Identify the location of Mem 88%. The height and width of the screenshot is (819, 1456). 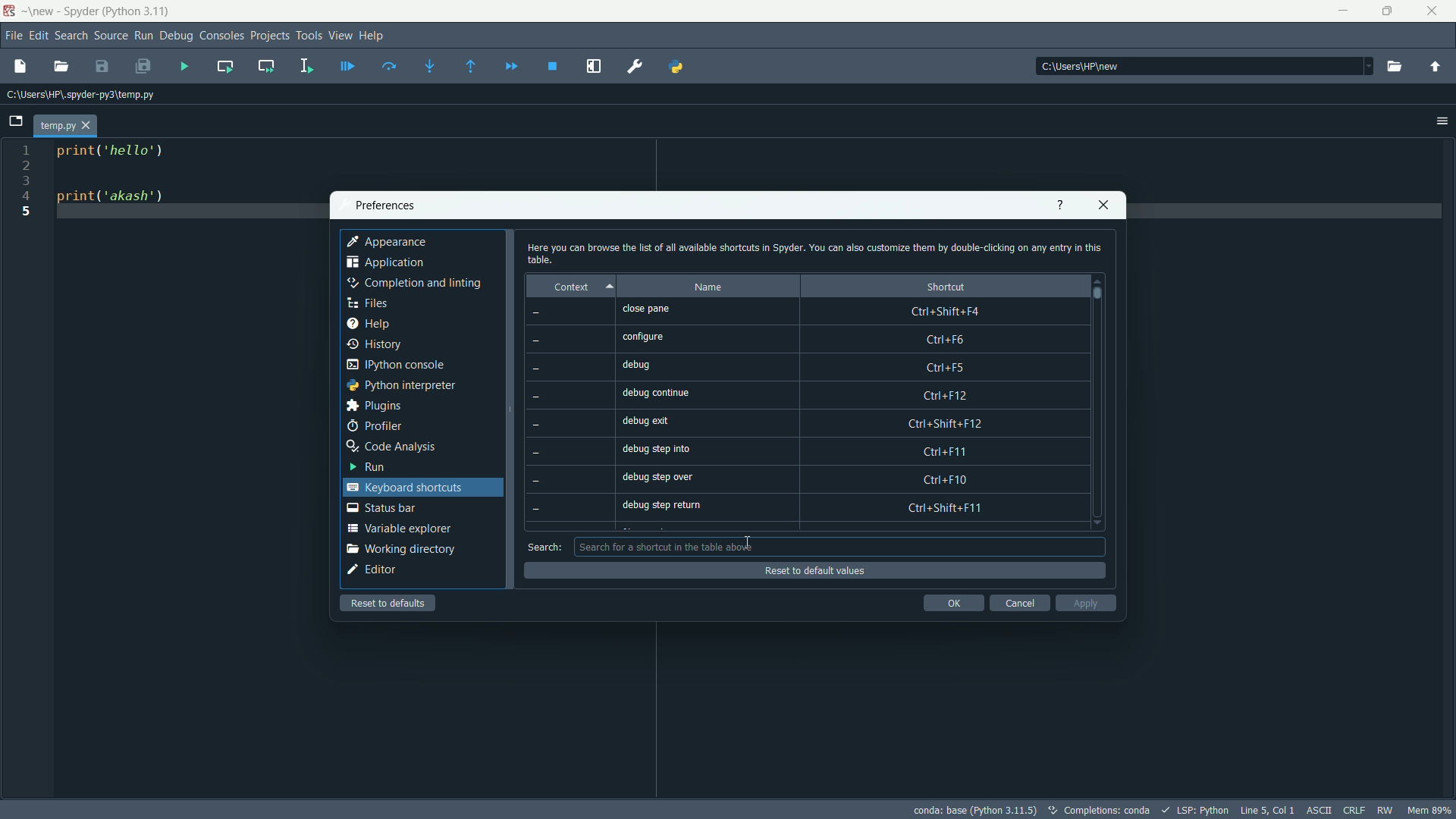
(1430, 810).